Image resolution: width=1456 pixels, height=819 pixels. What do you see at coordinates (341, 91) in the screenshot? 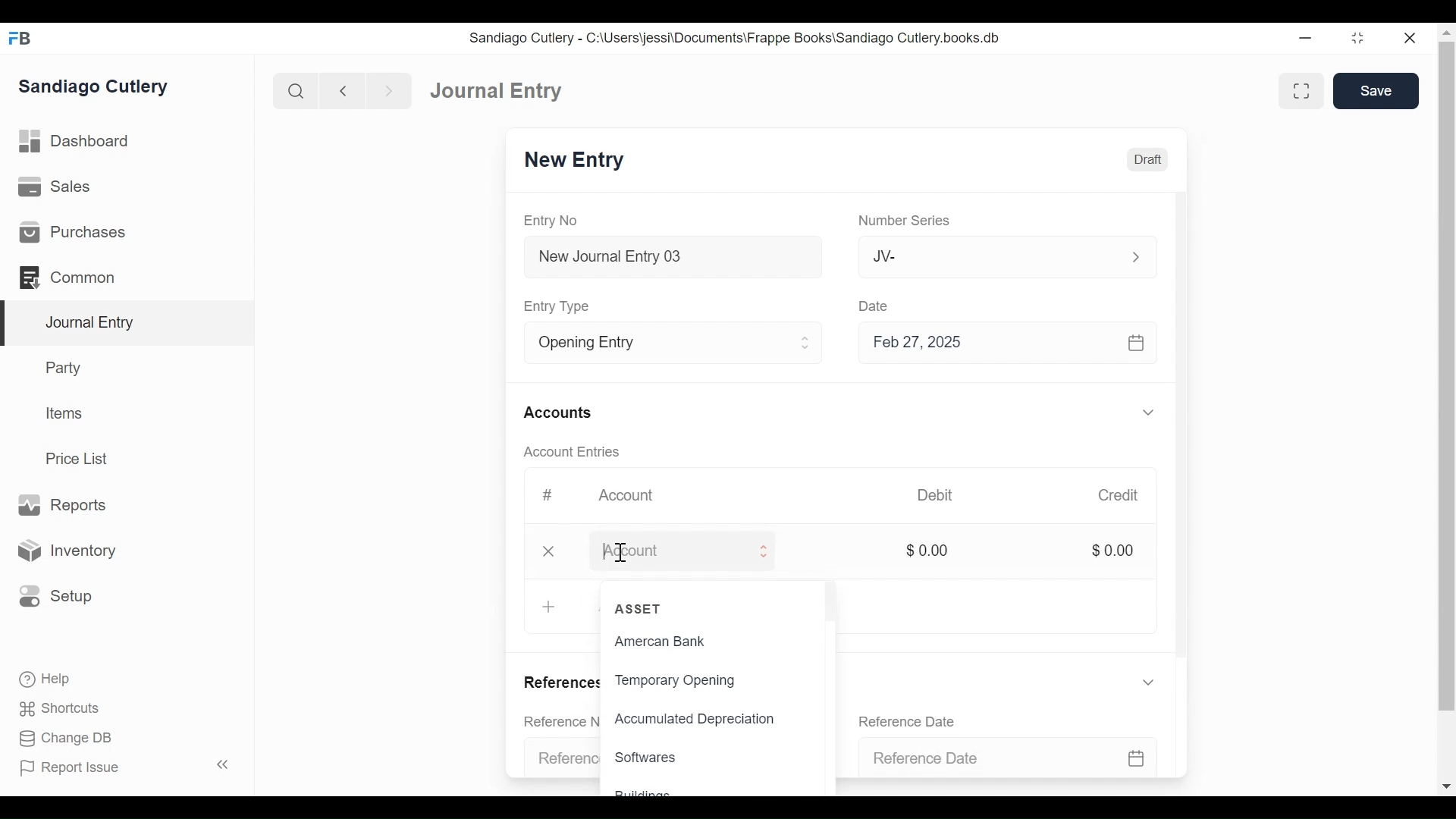
I see `Navigate back` at bounding box center [341, 91].